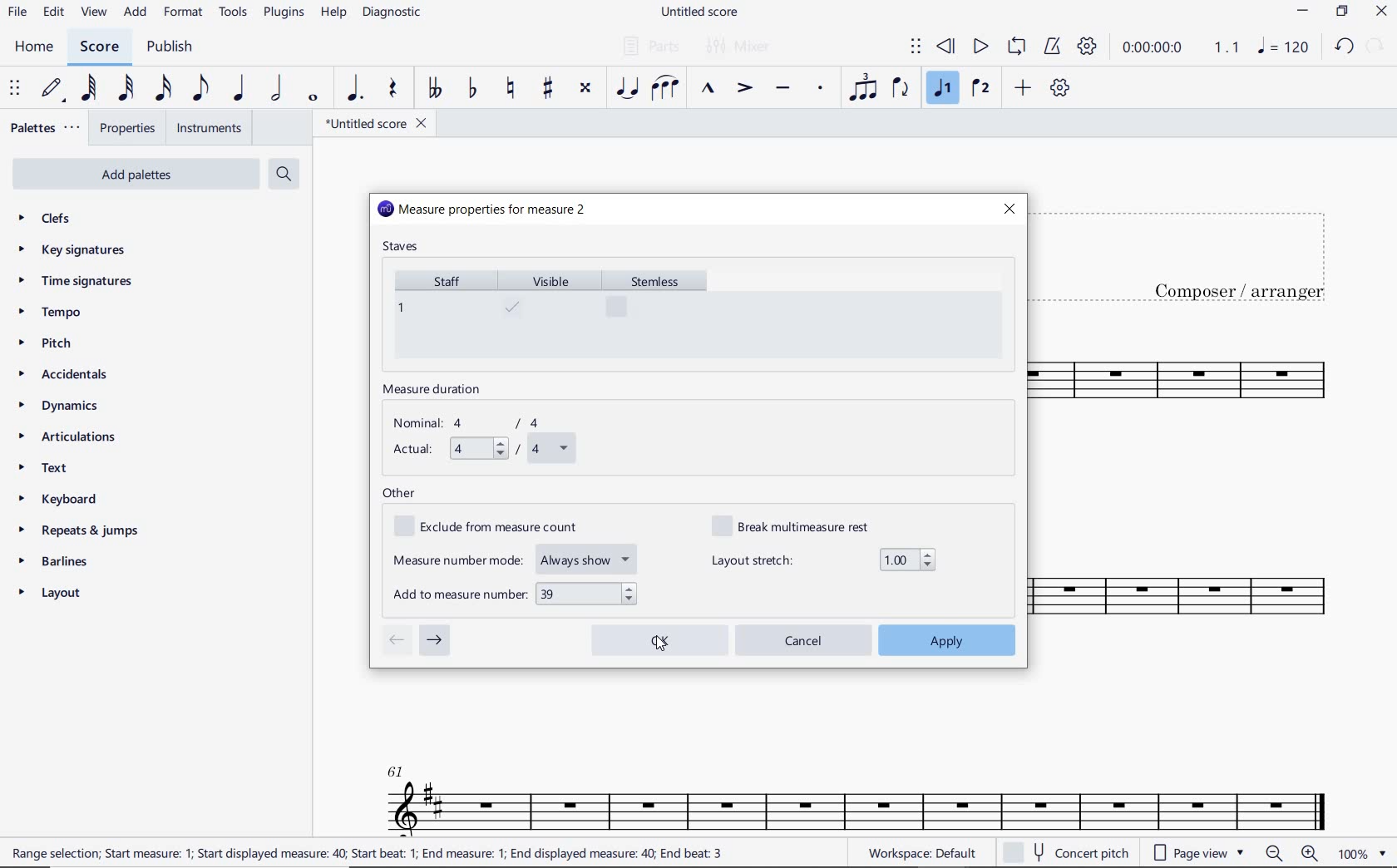  I want to click on MINIMIZE, so click(1304, 13).